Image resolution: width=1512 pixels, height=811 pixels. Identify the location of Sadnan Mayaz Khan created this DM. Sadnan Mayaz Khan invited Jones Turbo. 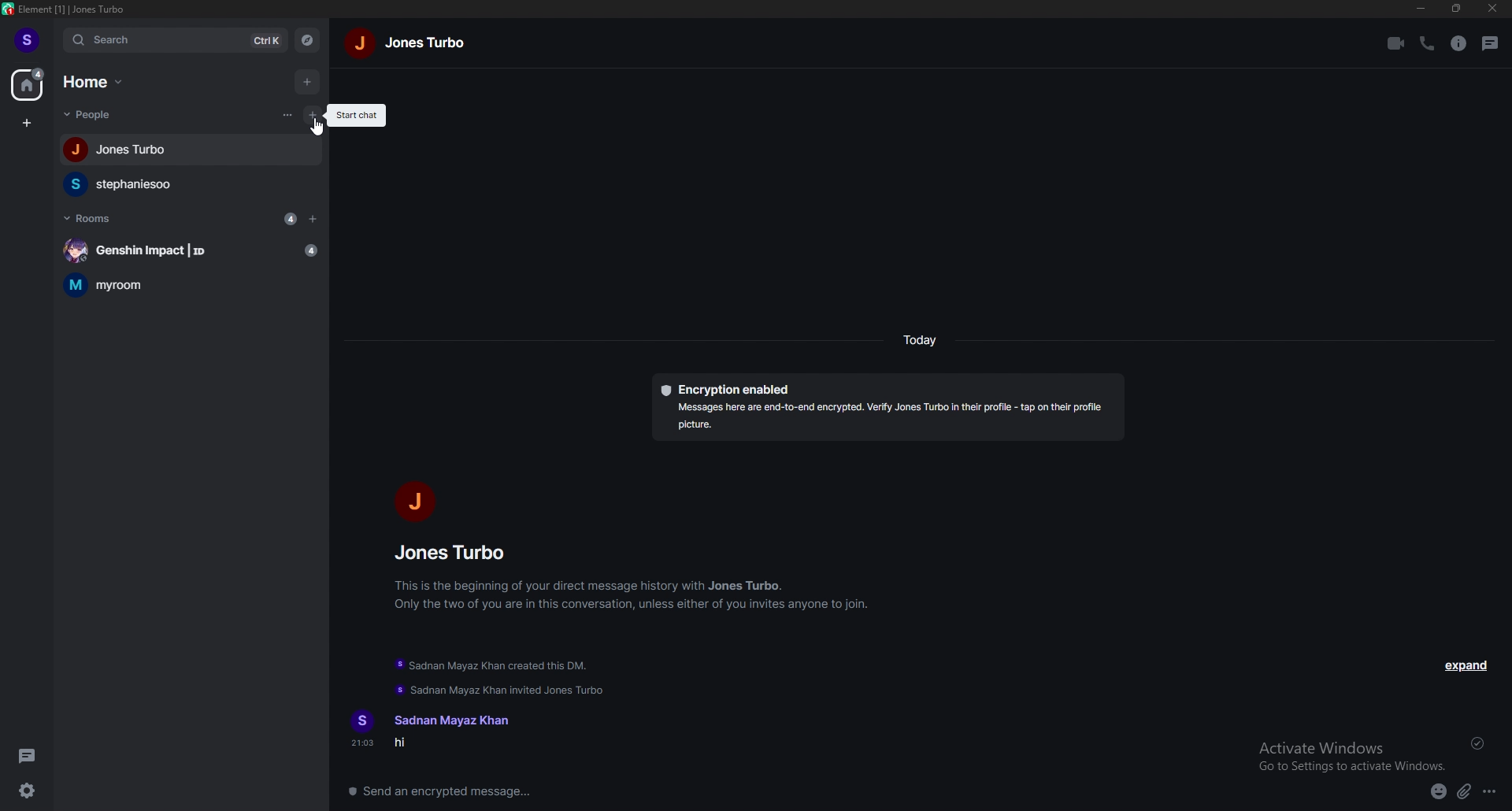
(516, 673).